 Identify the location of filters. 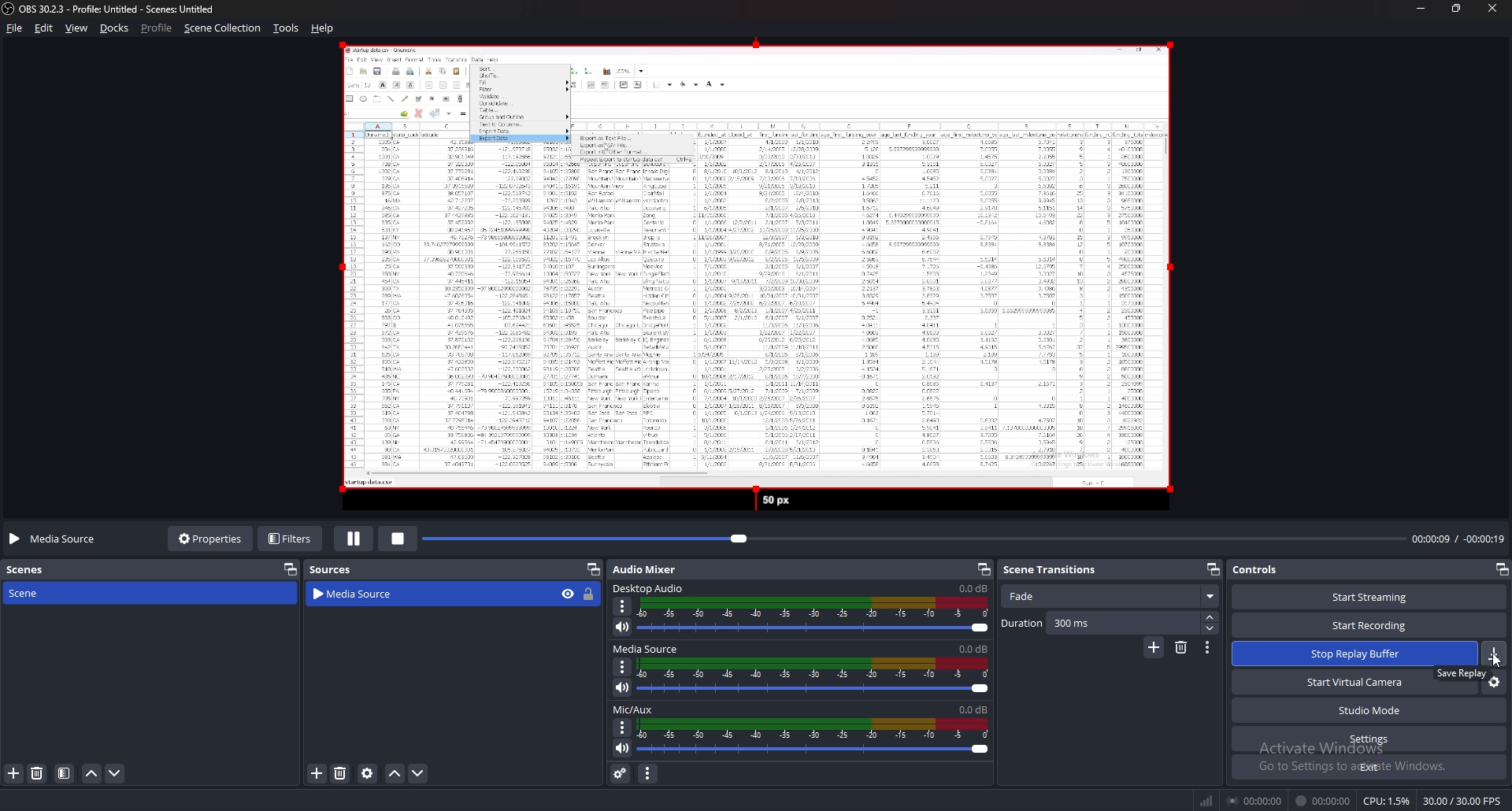
(291, 539).